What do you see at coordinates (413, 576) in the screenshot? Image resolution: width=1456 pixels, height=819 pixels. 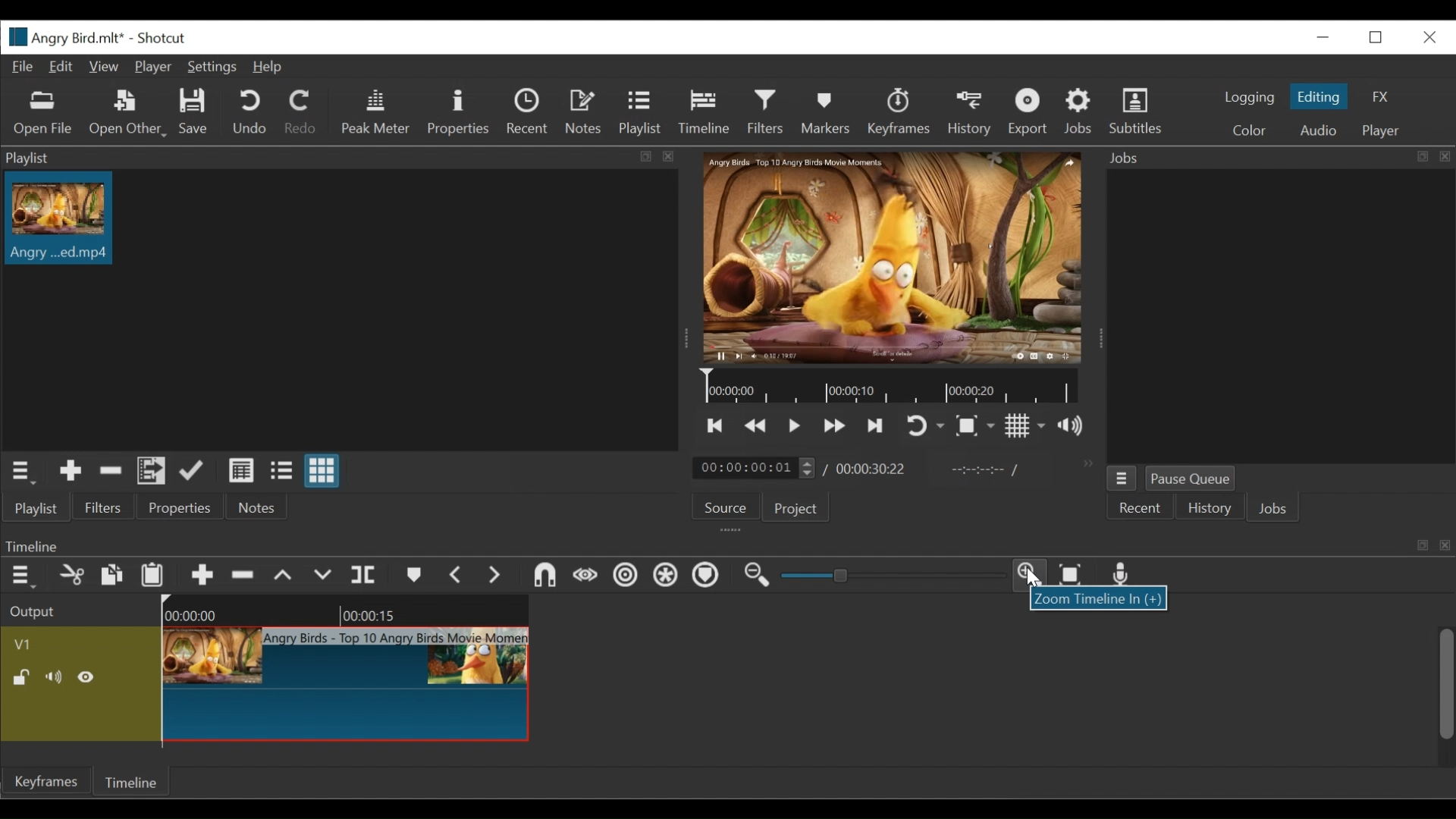 I see `Markers` at bounding box center [413, 576].